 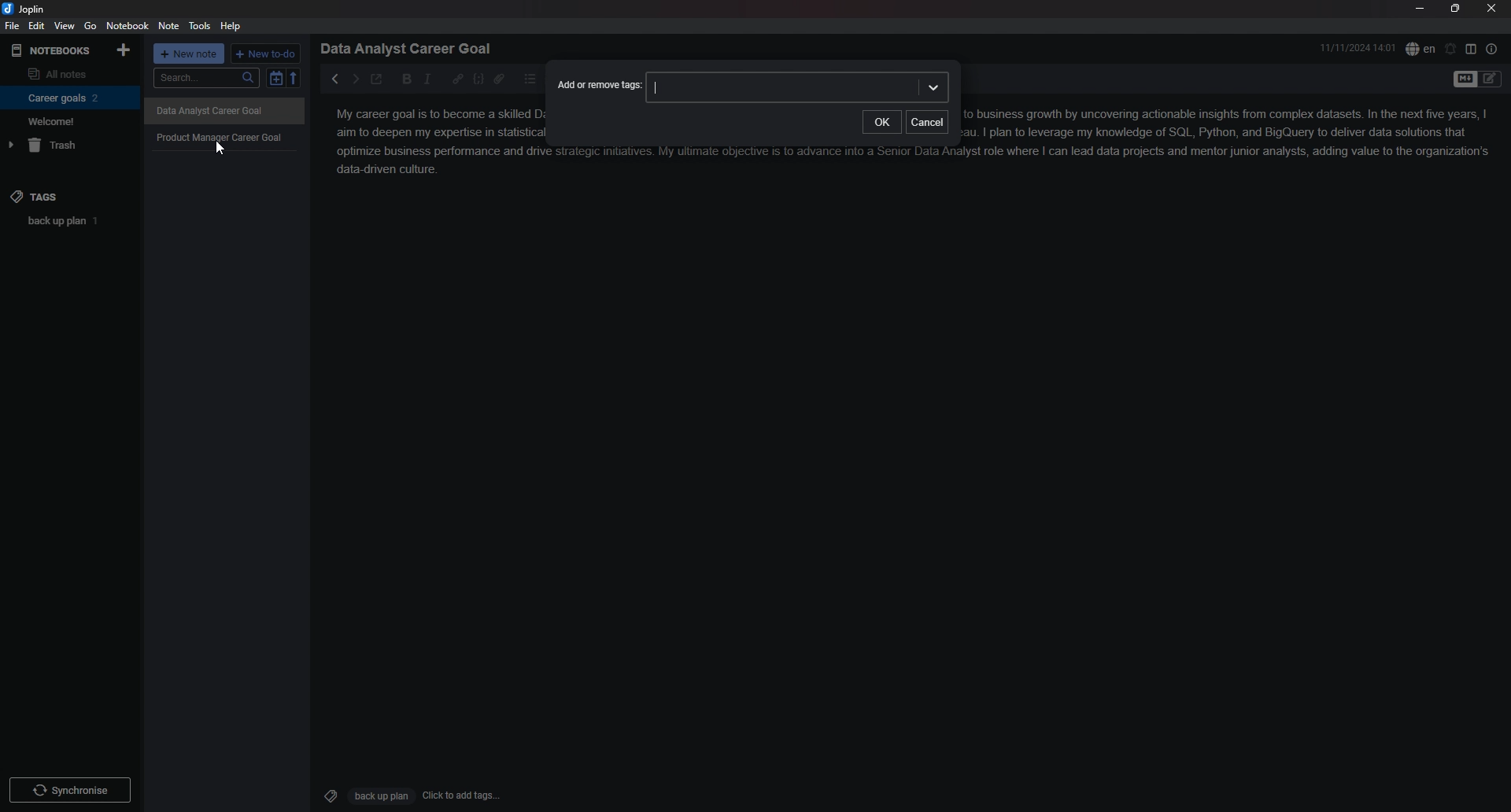 I want to click on note properties, so click(x=1492, y=49).